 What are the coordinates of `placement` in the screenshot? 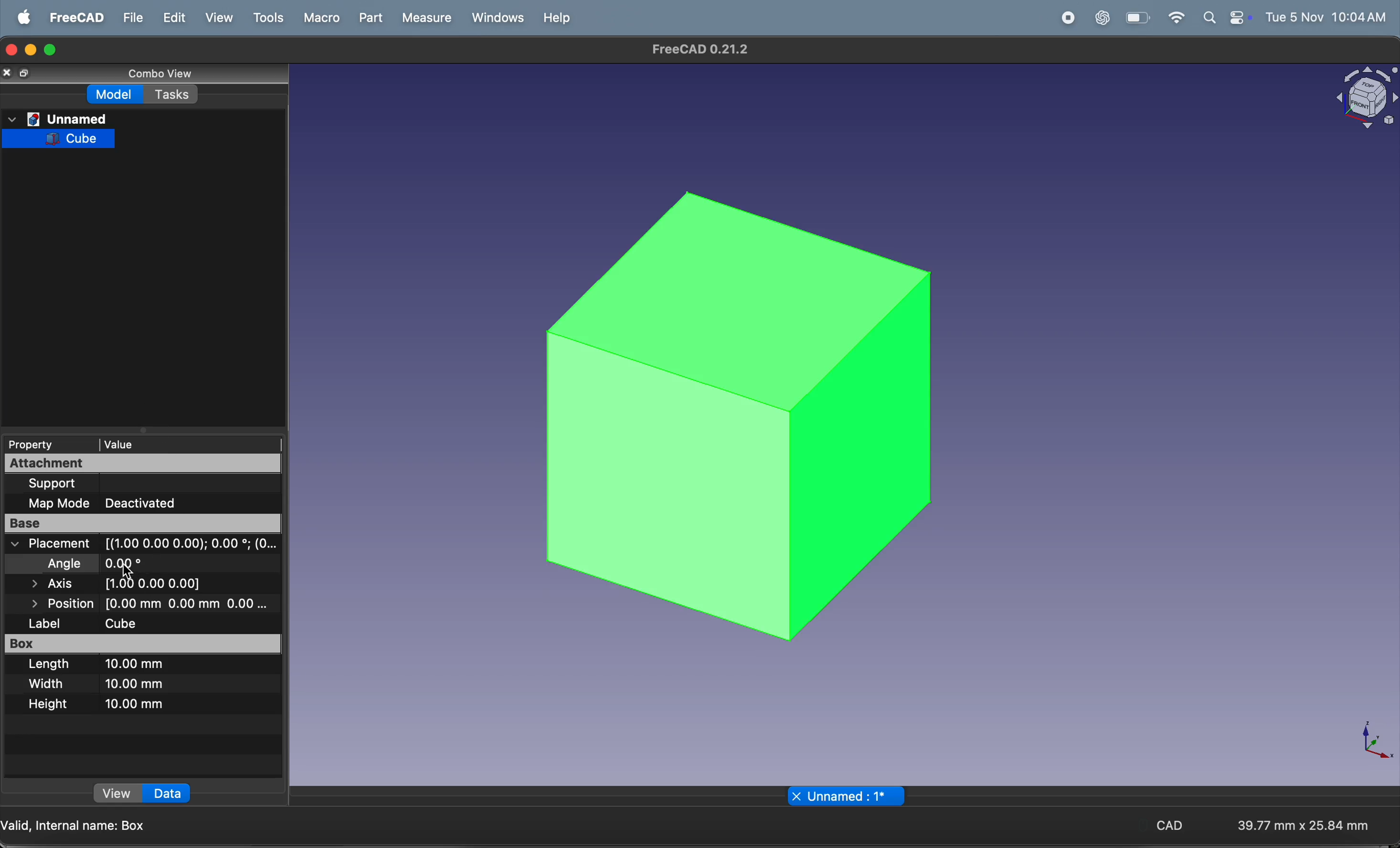 It's located at (50, 545).